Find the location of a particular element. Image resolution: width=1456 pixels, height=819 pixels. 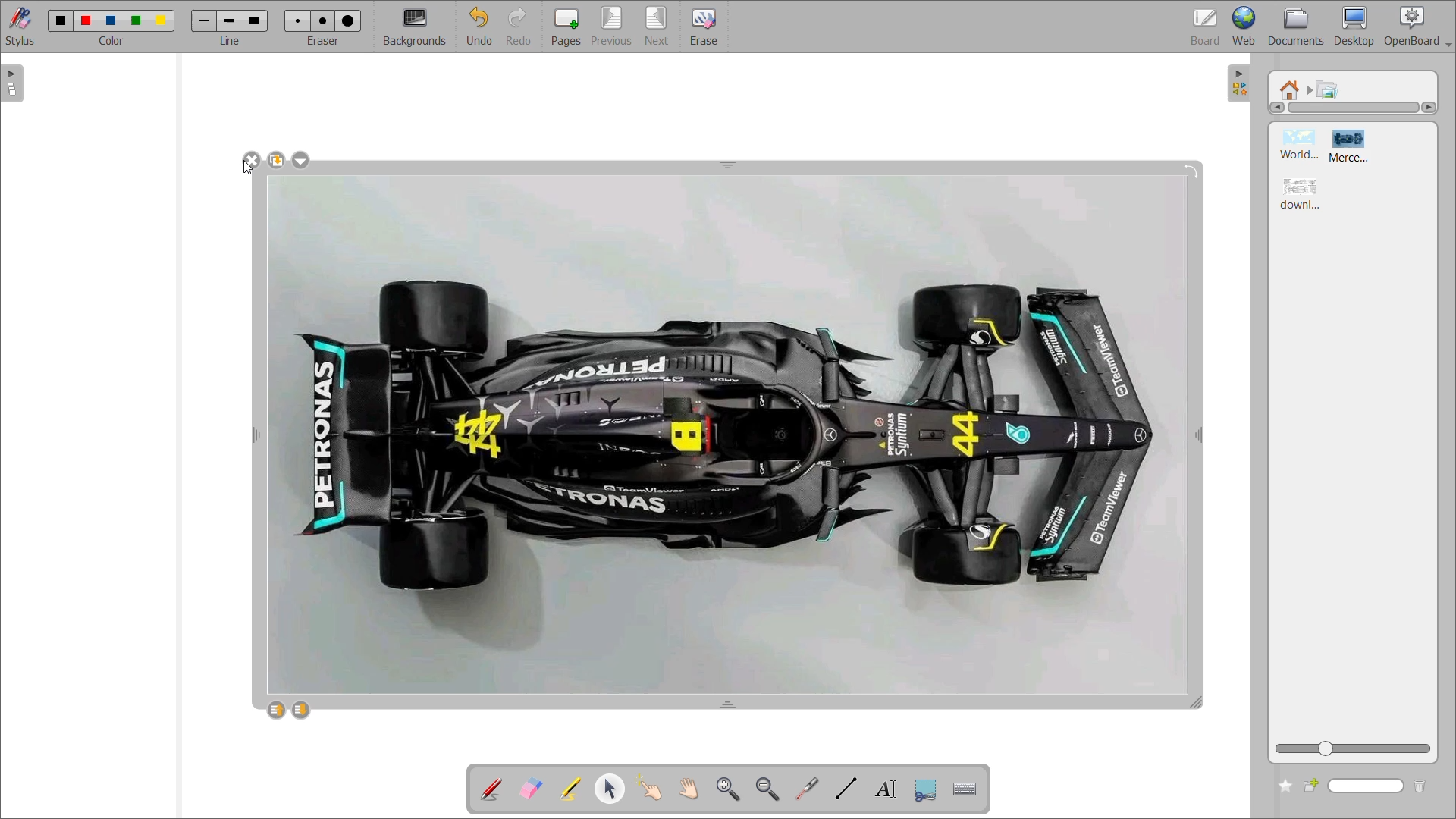

eraser 2 is located at coordinates (323, 21).